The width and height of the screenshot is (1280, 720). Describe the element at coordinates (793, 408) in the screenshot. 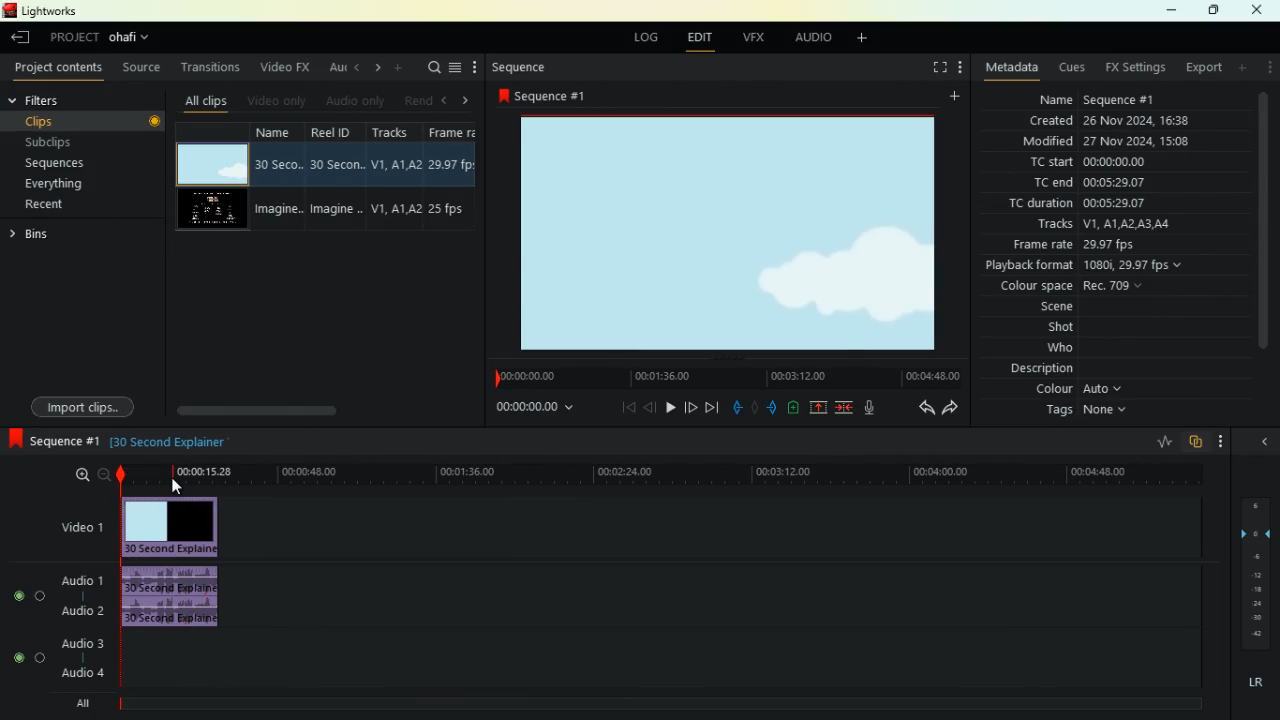

I see `battery` at that location.